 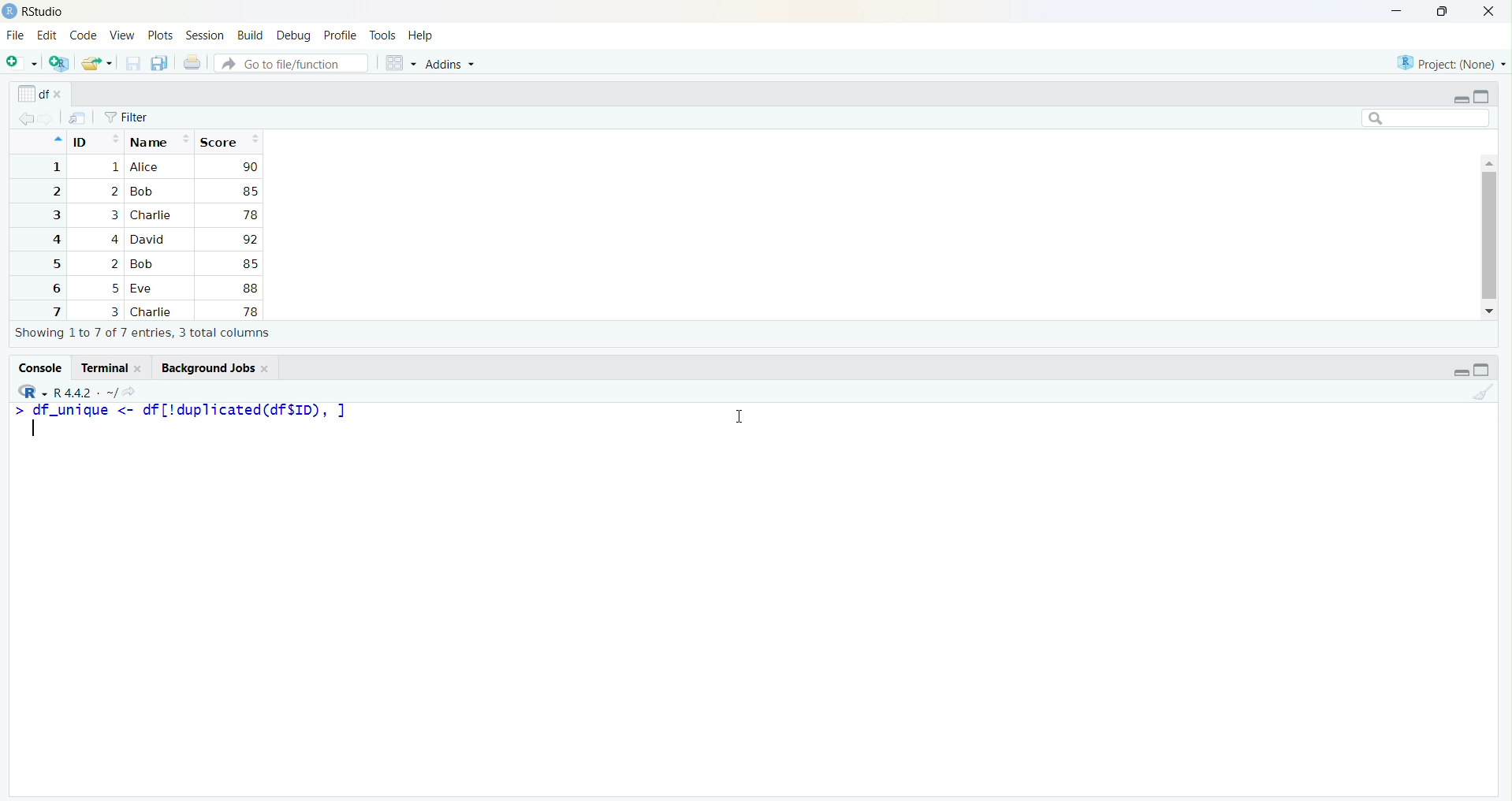 I want to click on RStudio menu, so click(x=32, y=392).